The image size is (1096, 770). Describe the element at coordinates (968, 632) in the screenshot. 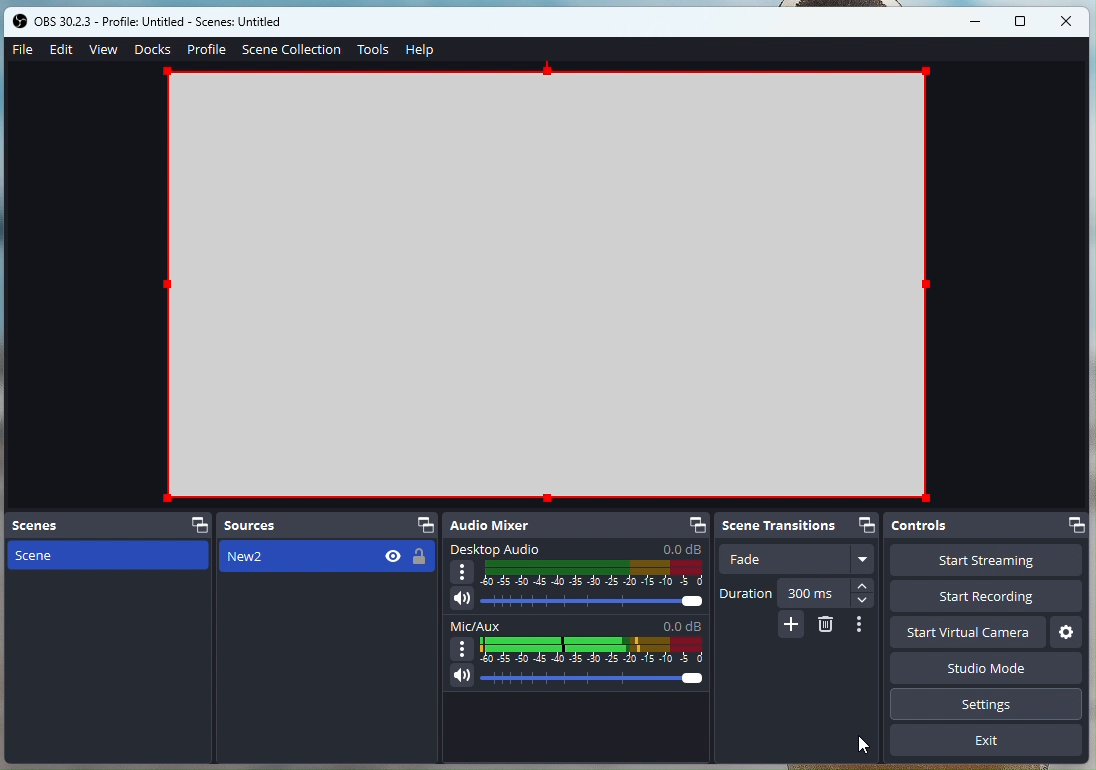

I see `Start virtual camera` at that location.